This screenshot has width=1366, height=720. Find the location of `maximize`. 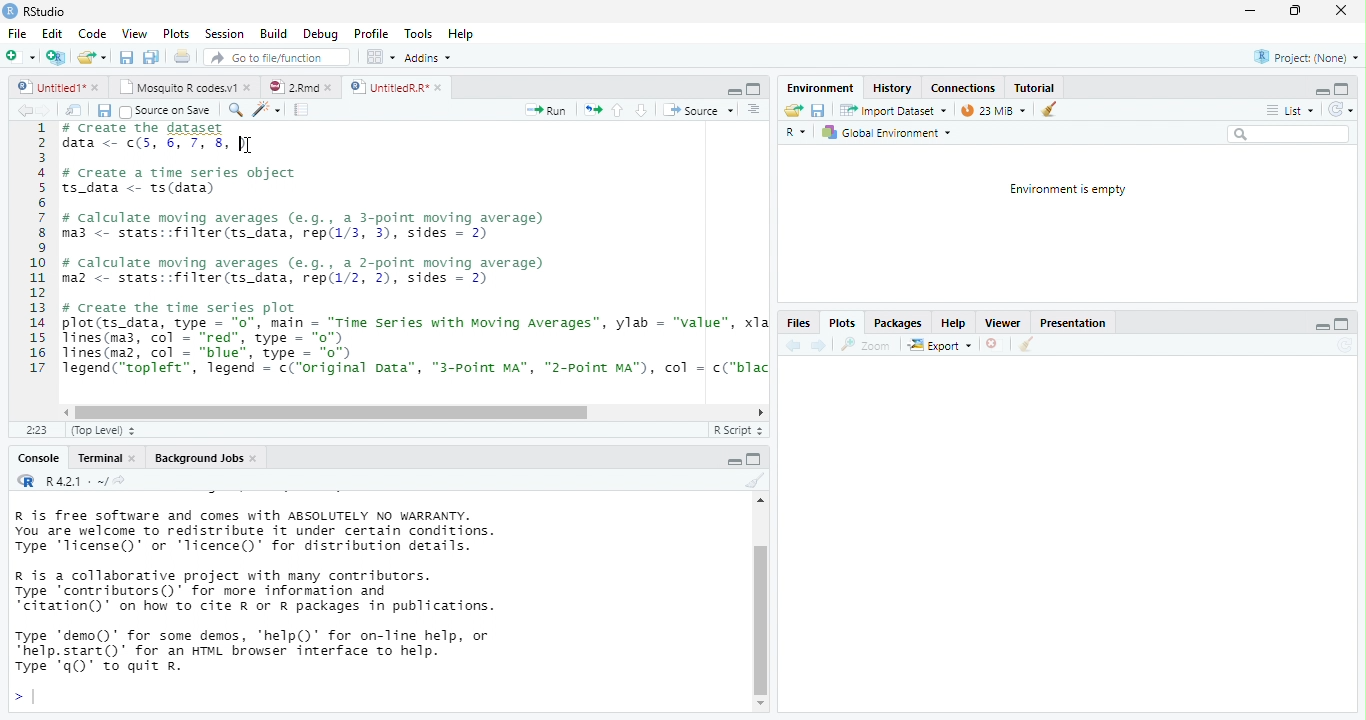

maximize is located at coordinates (1295, 11).